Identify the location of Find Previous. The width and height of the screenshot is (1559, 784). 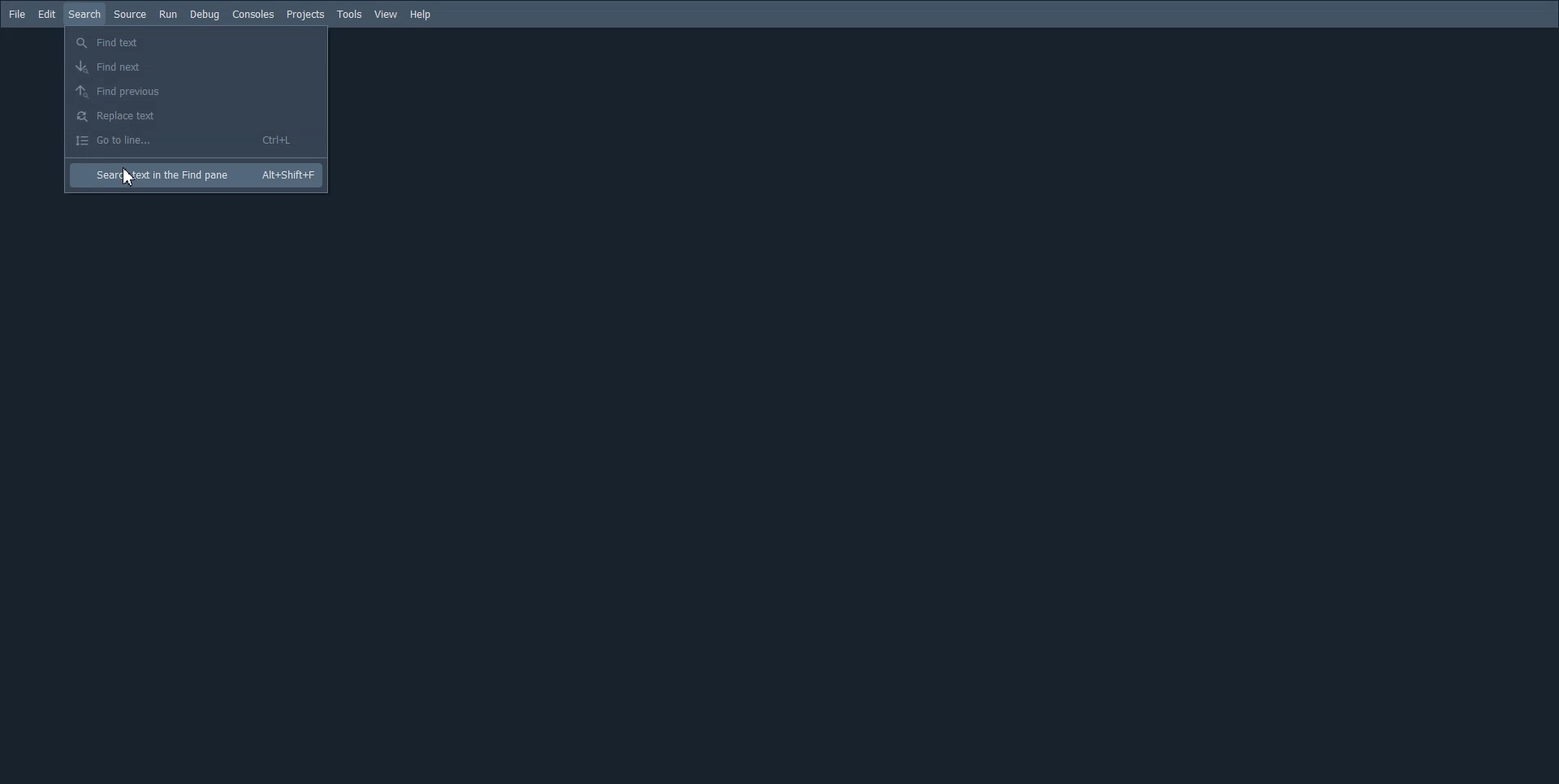
(188, 91).